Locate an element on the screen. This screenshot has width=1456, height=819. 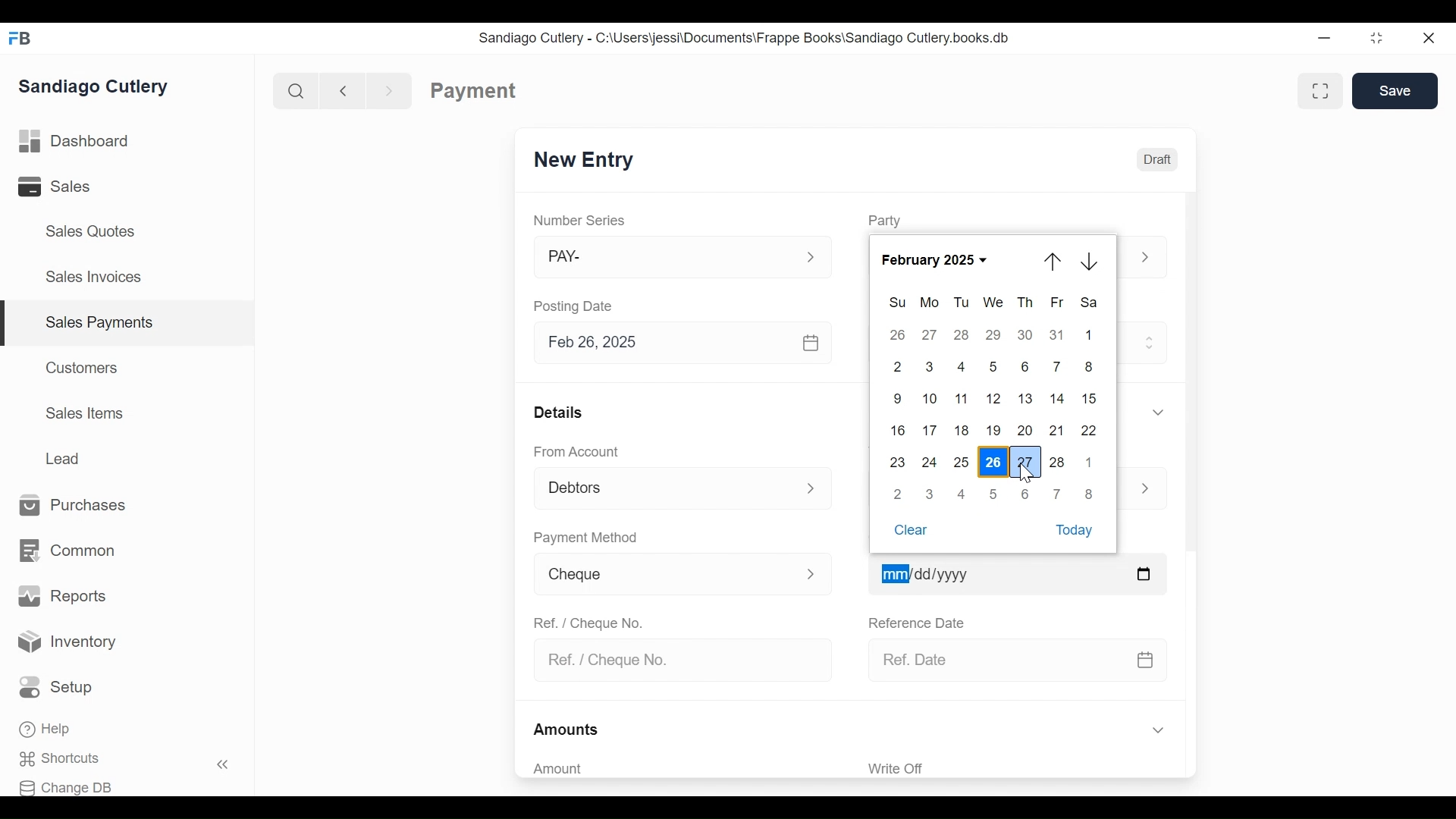
Arrow down is located at coordinates (1094, 262).